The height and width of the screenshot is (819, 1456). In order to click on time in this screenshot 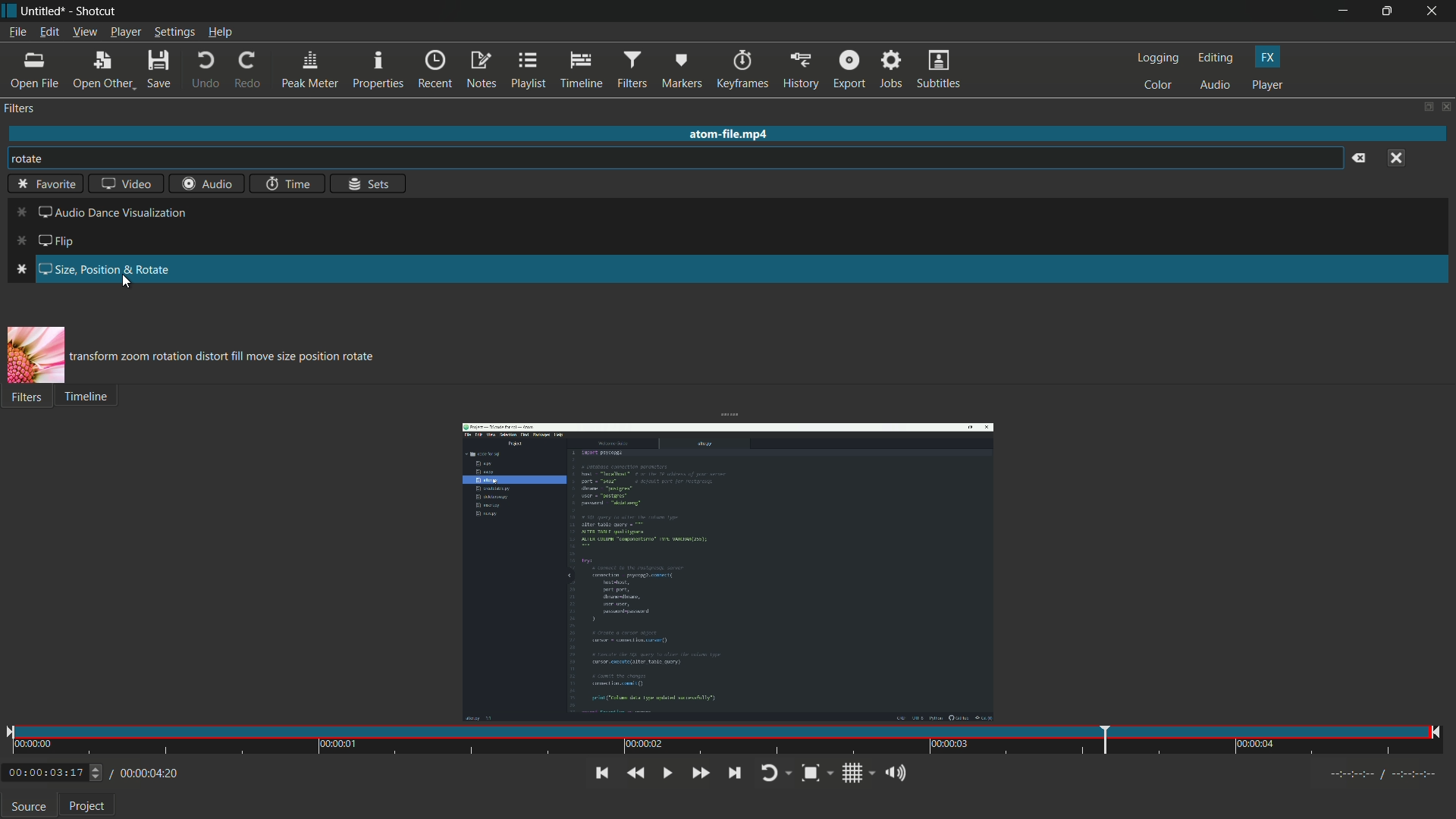, I will do `click(289, 183)`.